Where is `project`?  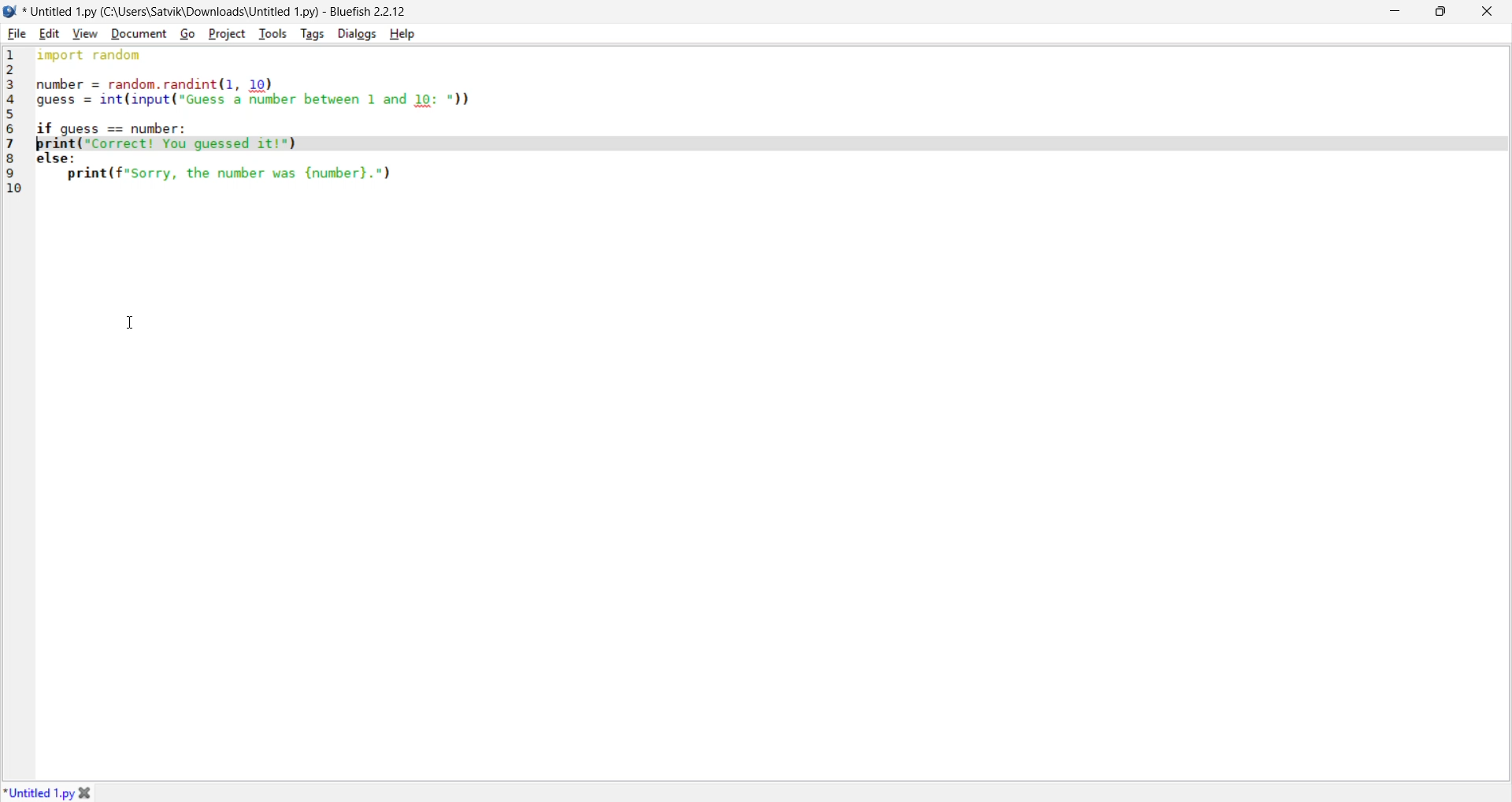 project is located at coordinates (226, 34).